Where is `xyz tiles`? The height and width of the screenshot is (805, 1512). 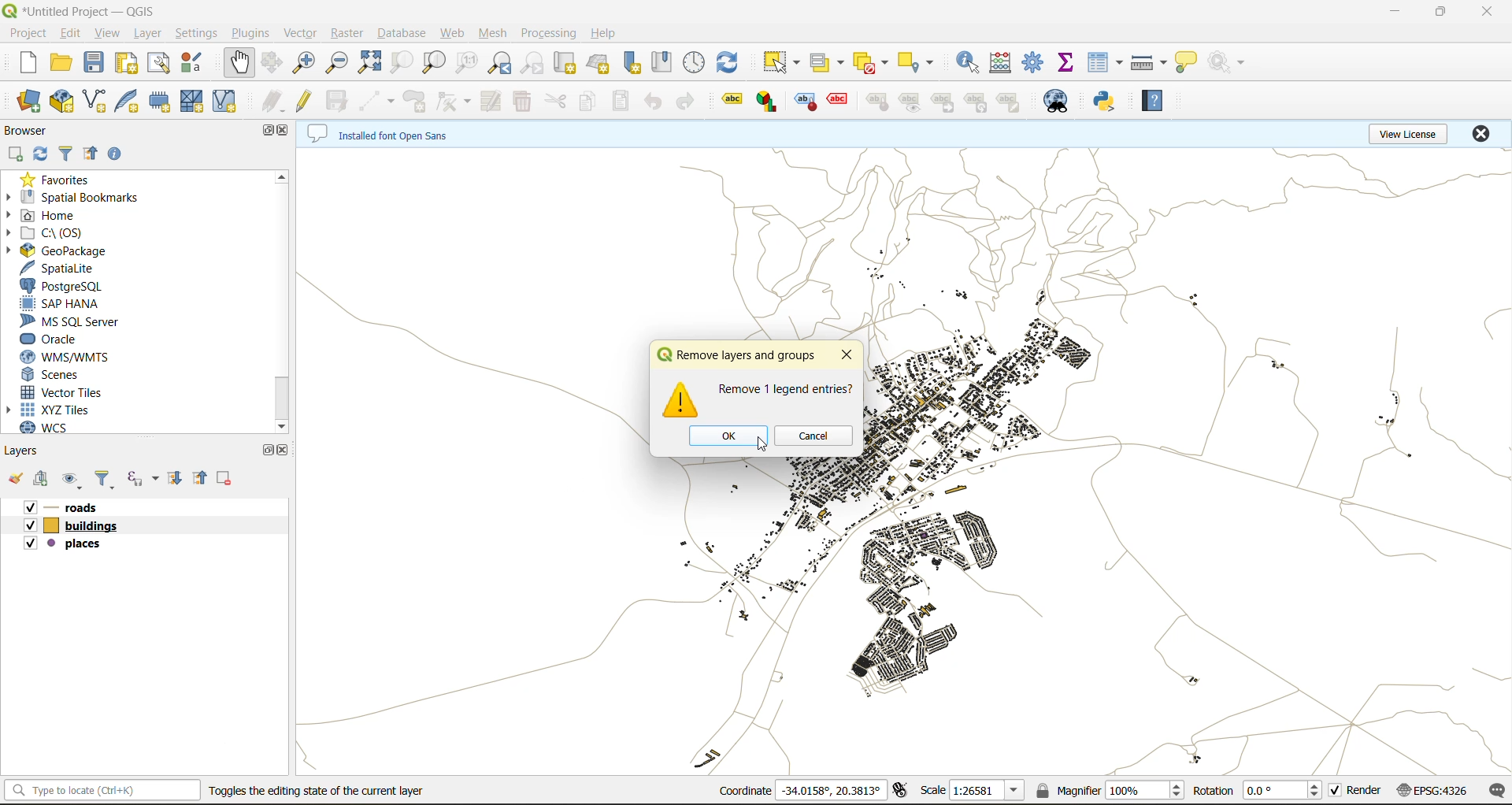
xyz tiles is located at coordinates (62, 406).